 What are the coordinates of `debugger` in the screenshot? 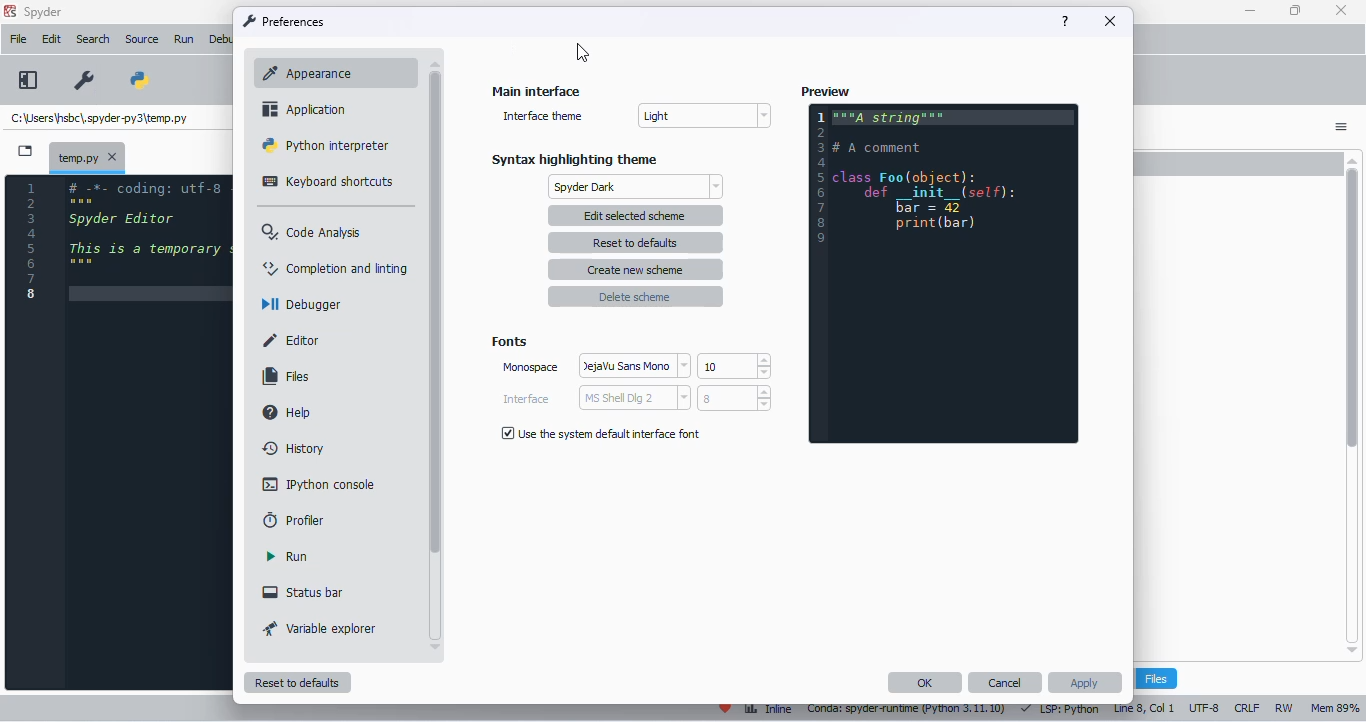 It's located at (300, 303).